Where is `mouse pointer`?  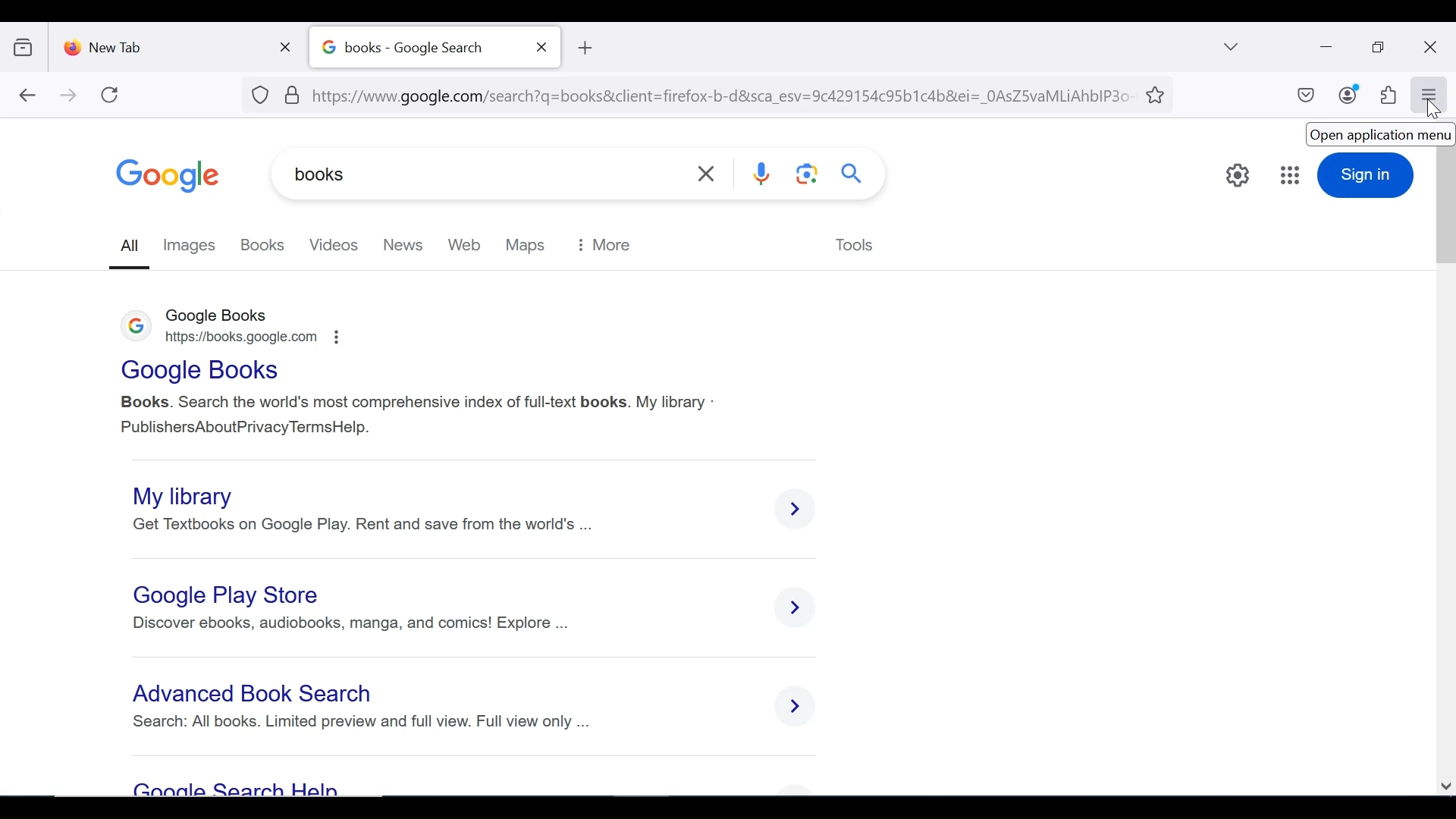 mouse pointer is located at coordinates (1432, 113).